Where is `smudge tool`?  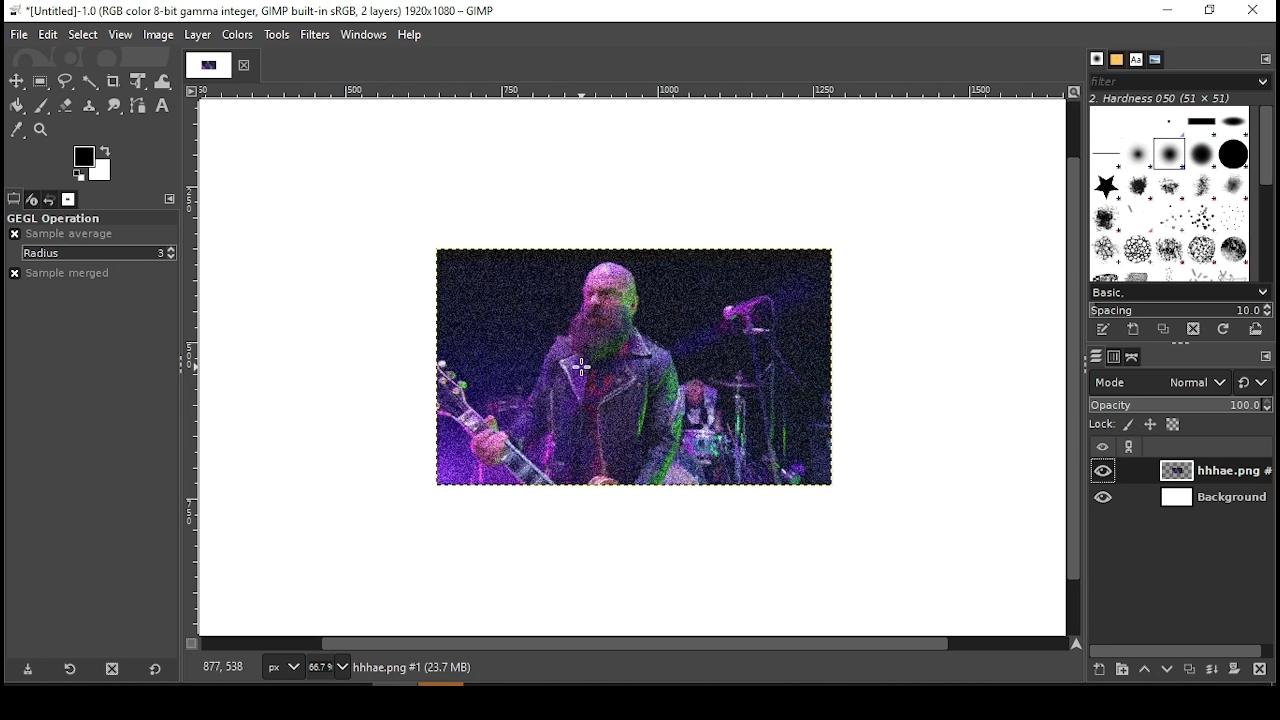
smudge tool is located at coordinates (114, 107).